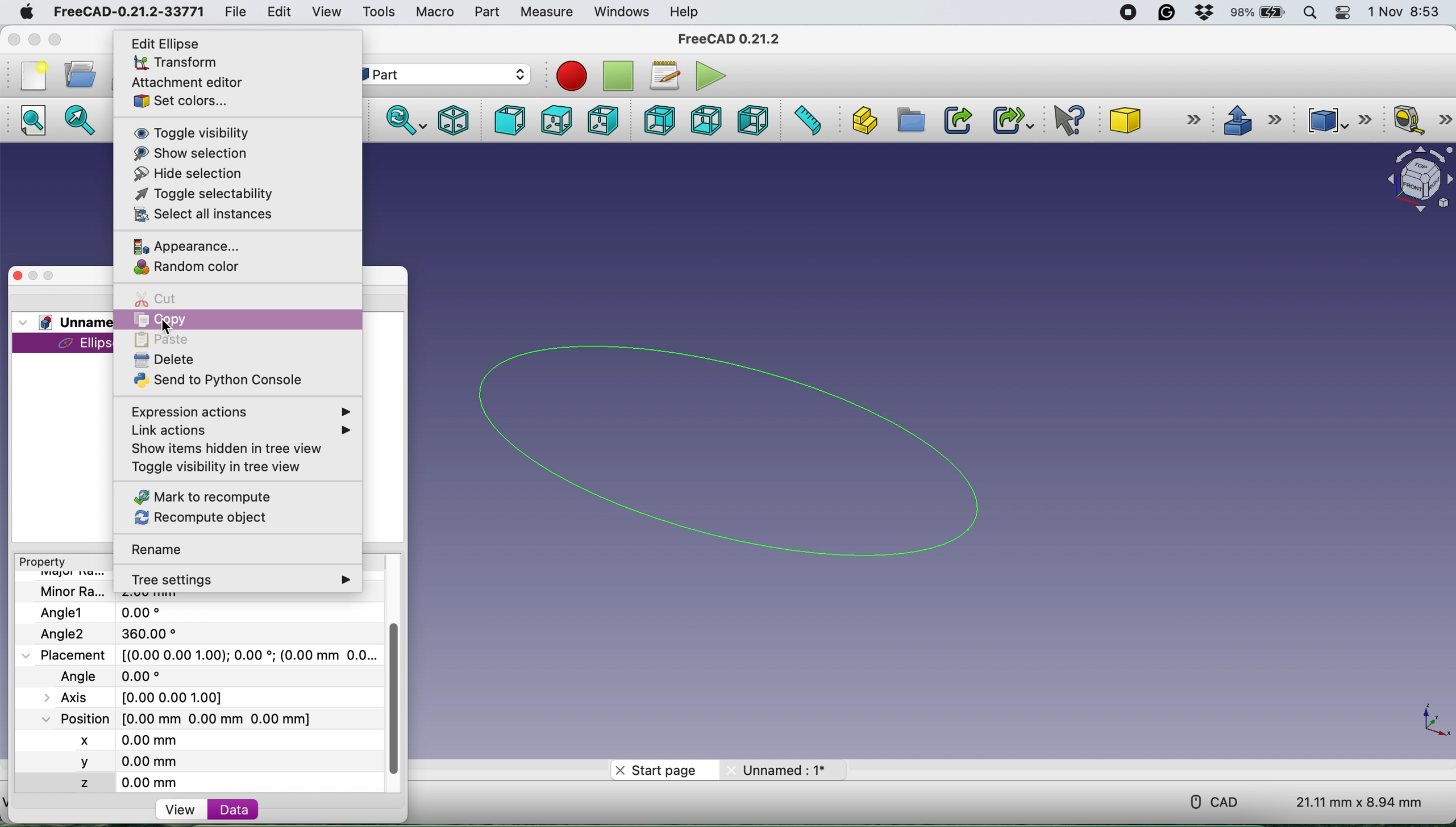  I want to click on poaition, so click(207, 718).